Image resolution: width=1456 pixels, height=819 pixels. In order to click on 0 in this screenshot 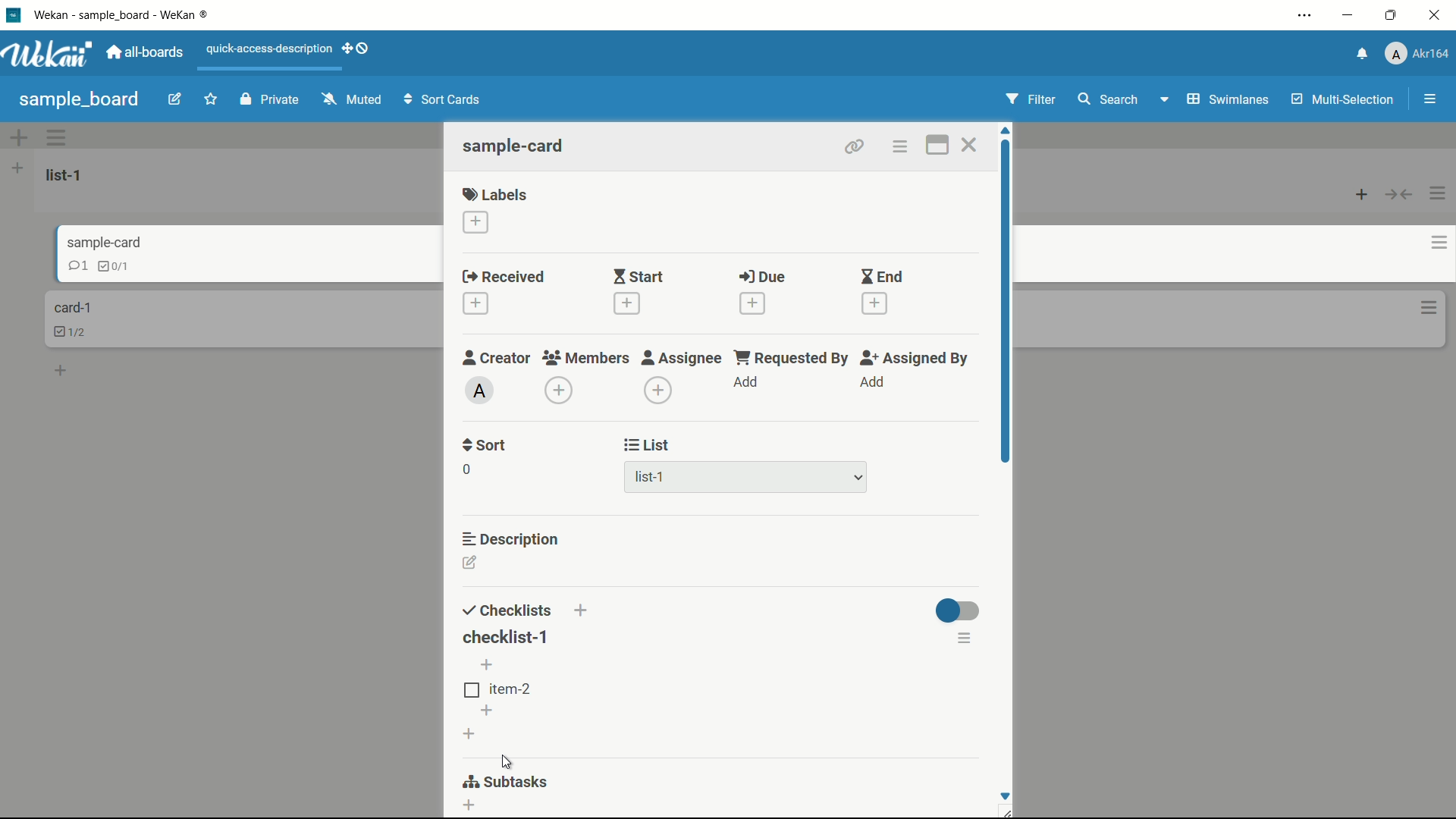, I will do `click(466, 469)`.